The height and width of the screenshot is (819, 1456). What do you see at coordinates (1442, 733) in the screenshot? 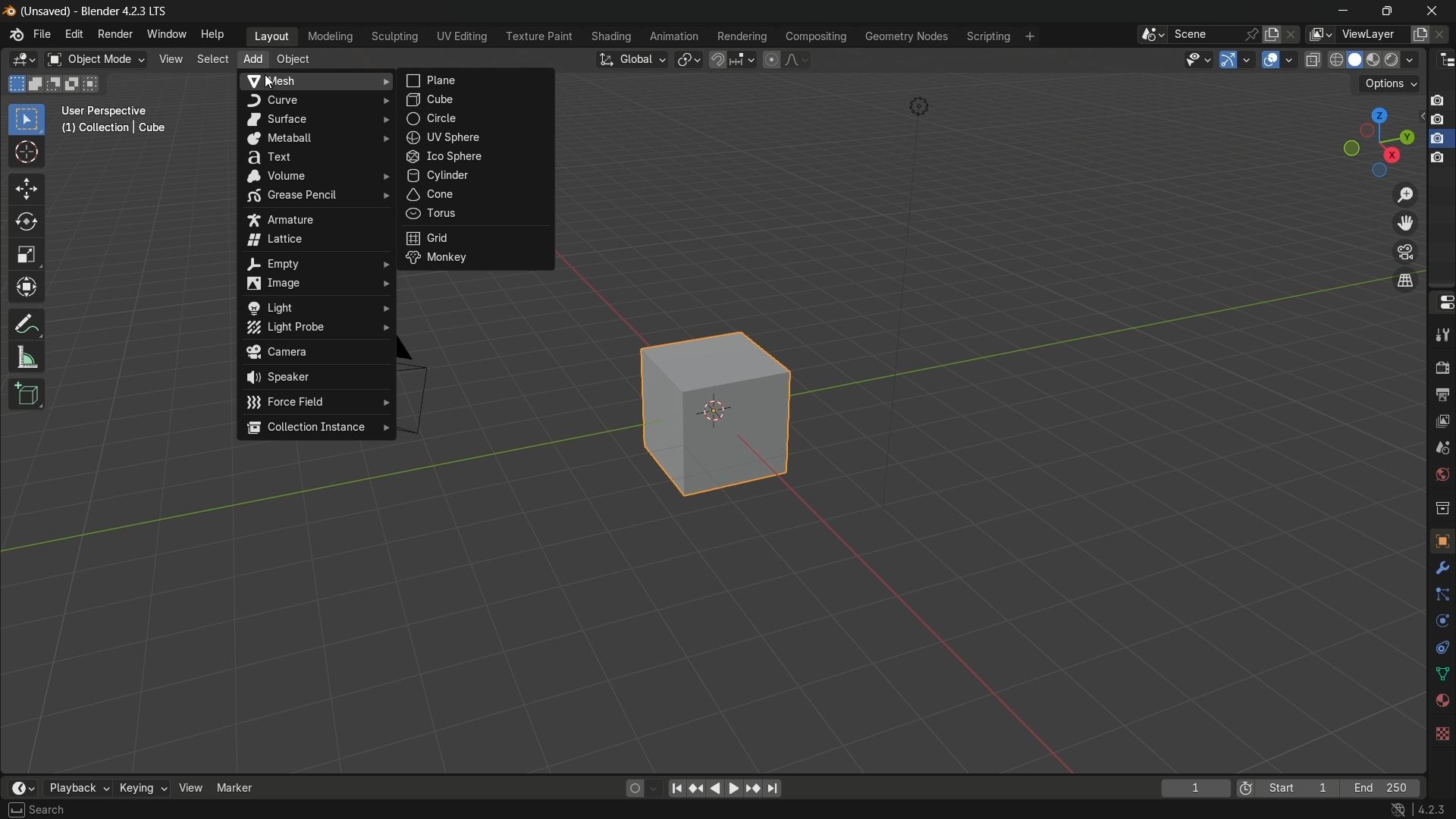
I see `texture` at bounding box center [1442, 733].